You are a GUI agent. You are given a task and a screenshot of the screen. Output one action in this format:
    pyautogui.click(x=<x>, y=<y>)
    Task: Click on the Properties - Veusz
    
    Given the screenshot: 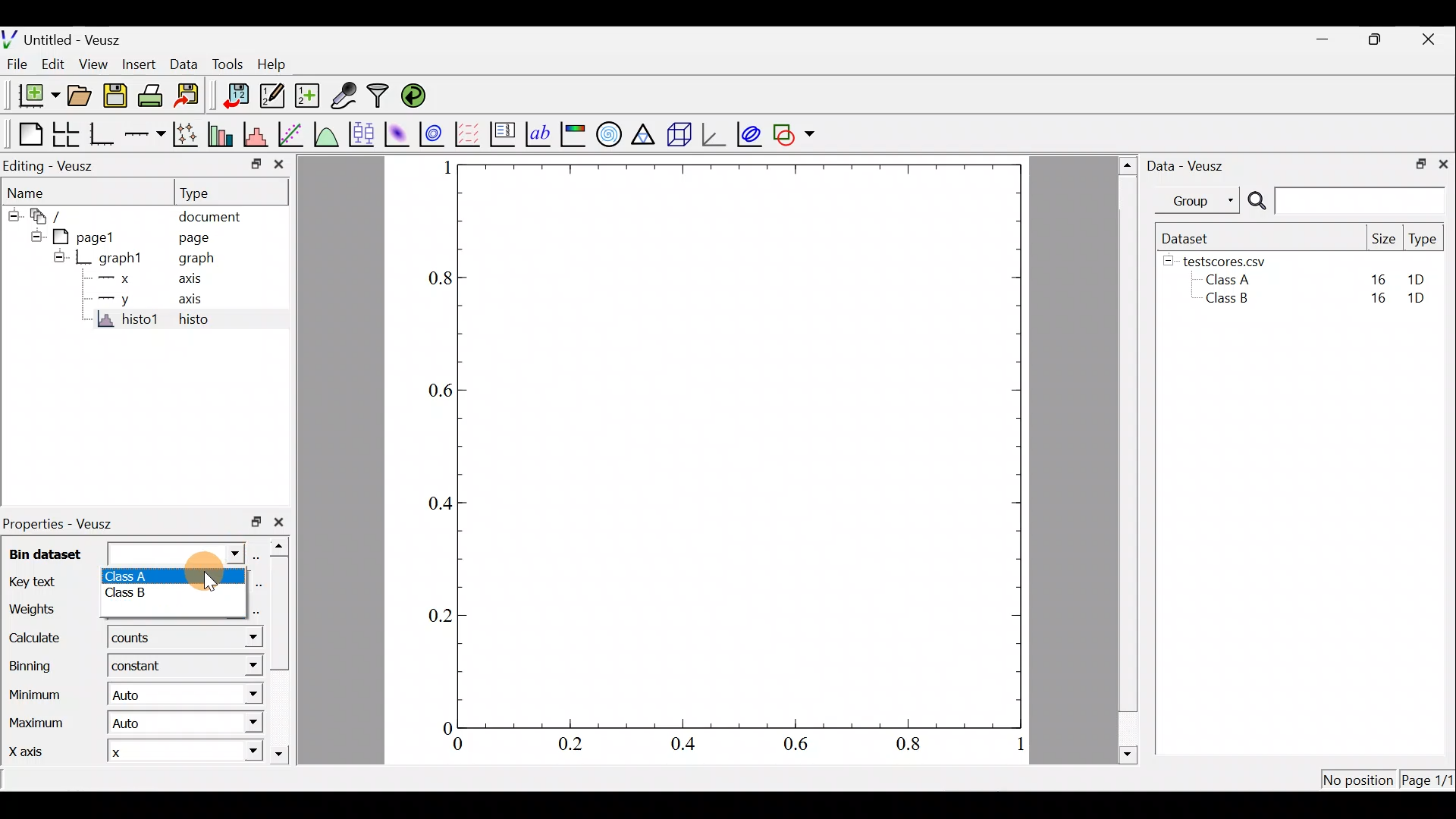 What is the action you would take?
    pyautogui.click(x=64, y=525)
    